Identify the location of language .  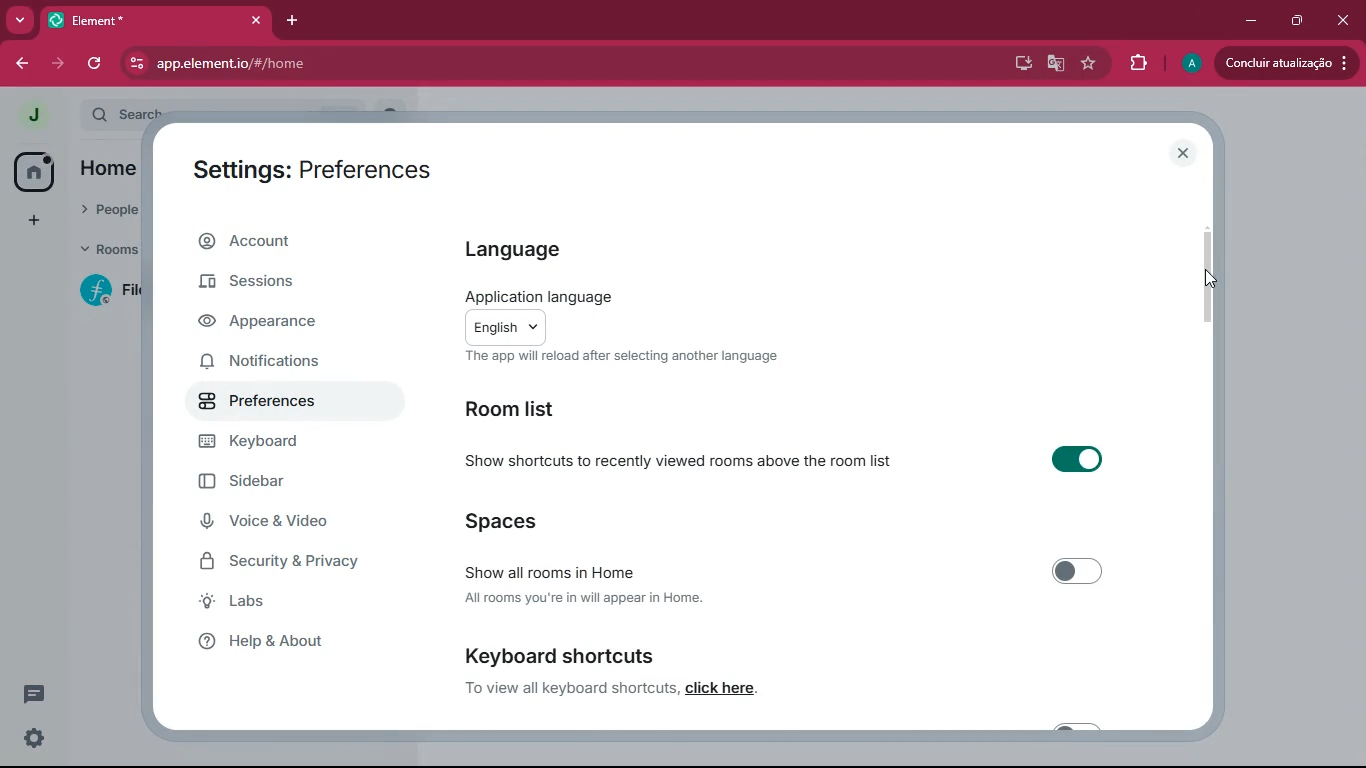
(533, 254).